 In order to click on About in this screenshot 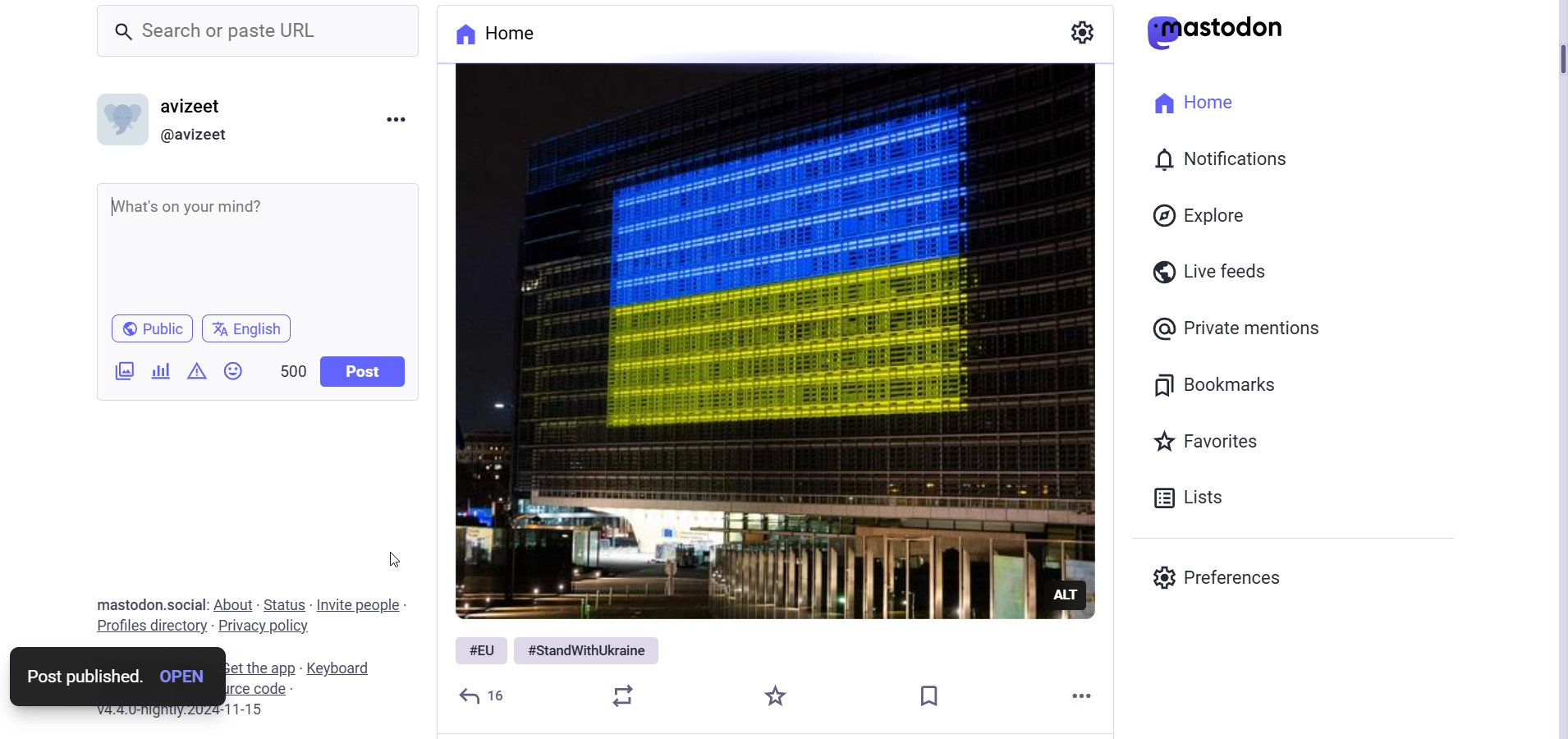, I will do `click(234, 604)`.